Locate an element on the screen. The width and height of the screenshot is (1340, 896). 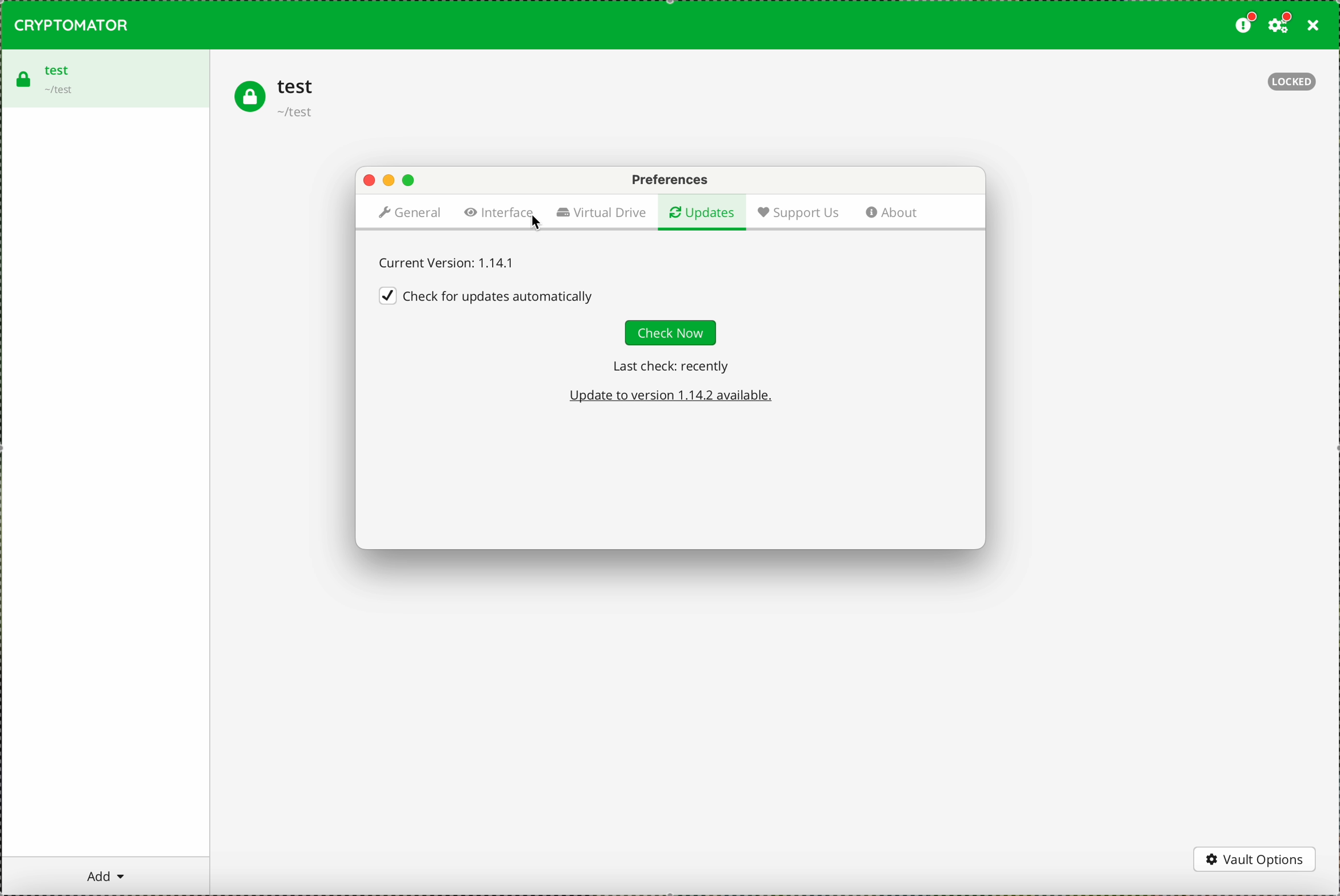
click on settings is located at coordinates (1281, 26).